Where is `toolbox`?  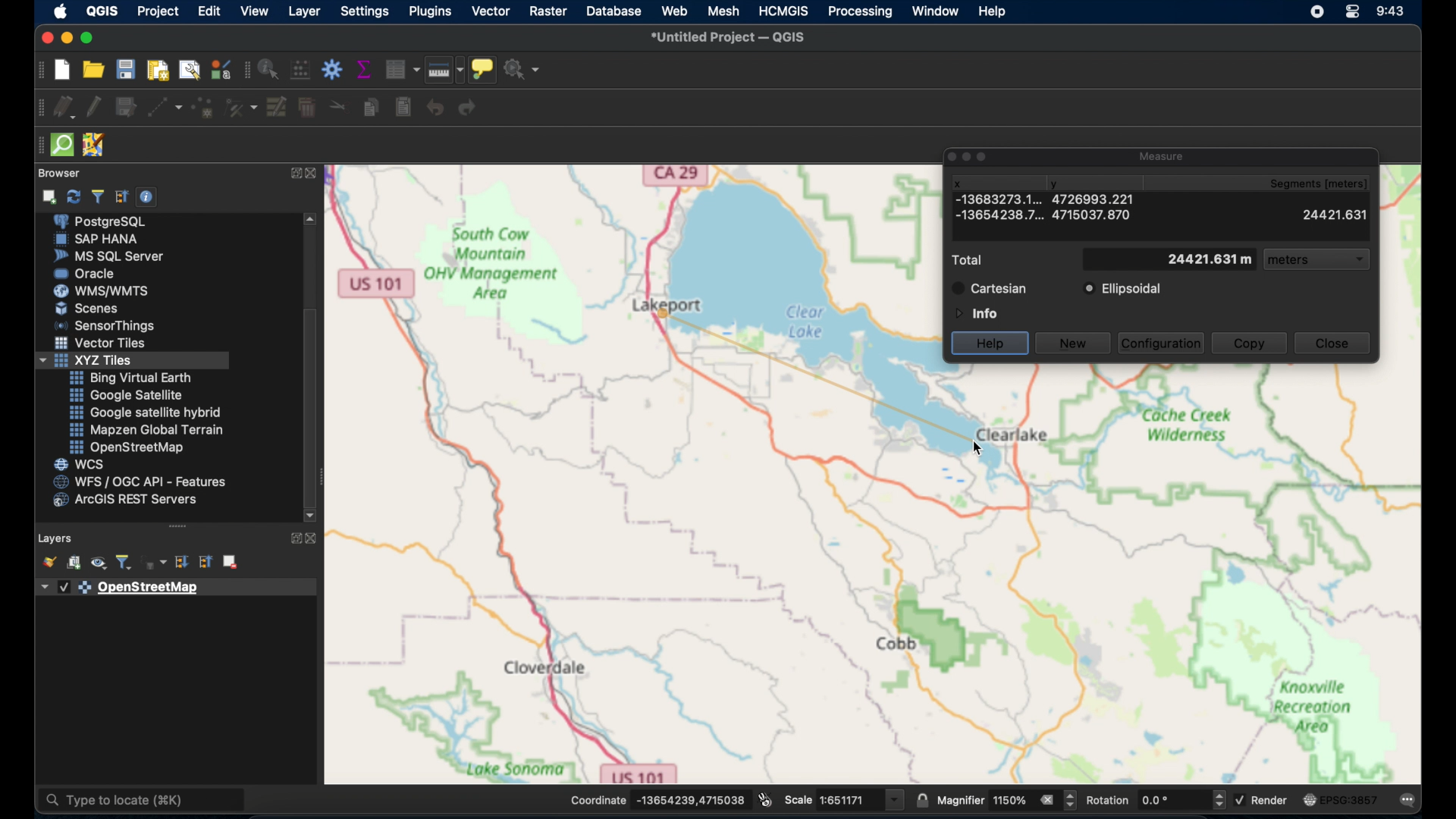
toolbox is located at coordinates (331, 69).